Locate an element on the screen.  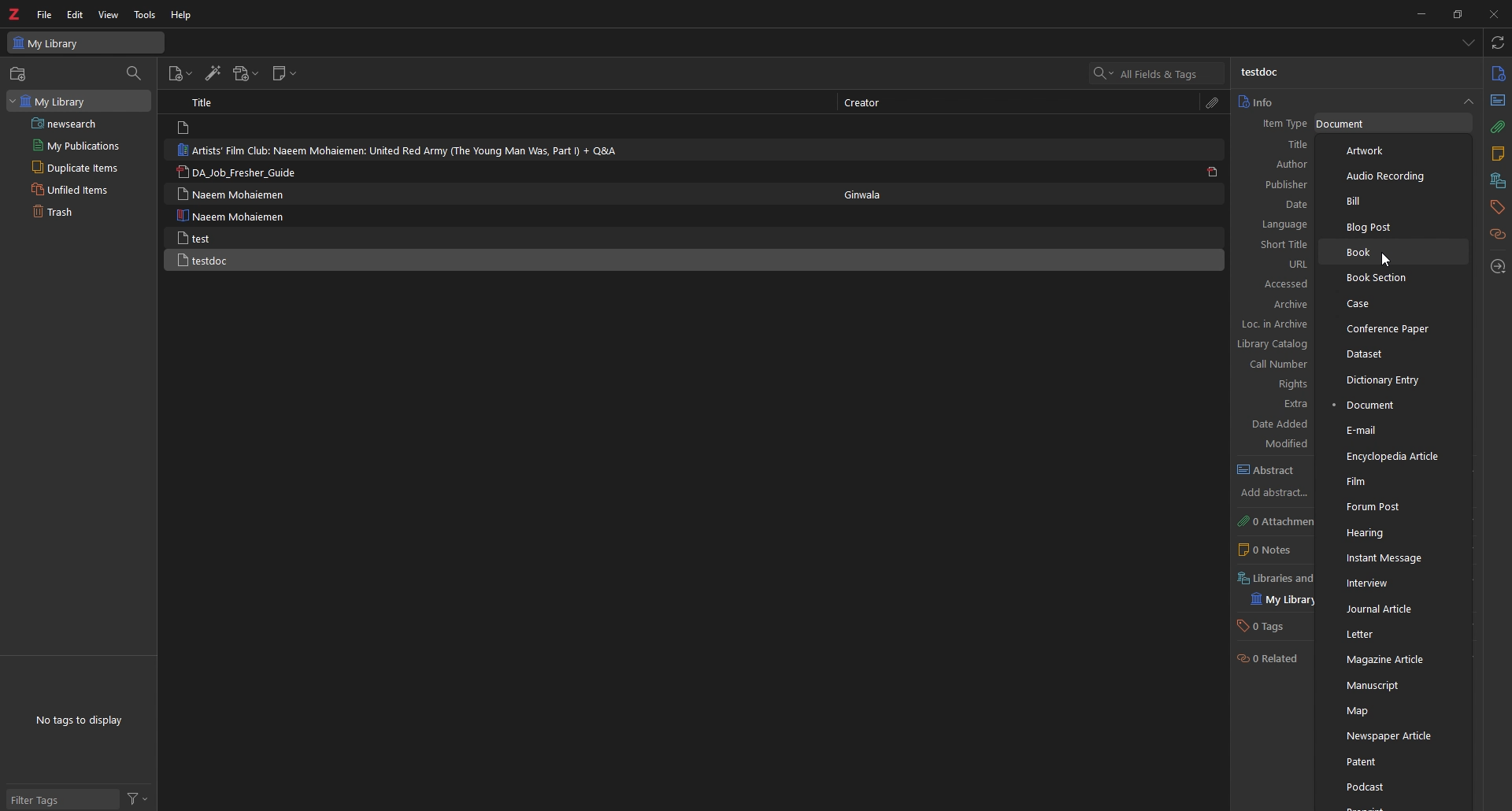
file is located at coordinates (45, 14).